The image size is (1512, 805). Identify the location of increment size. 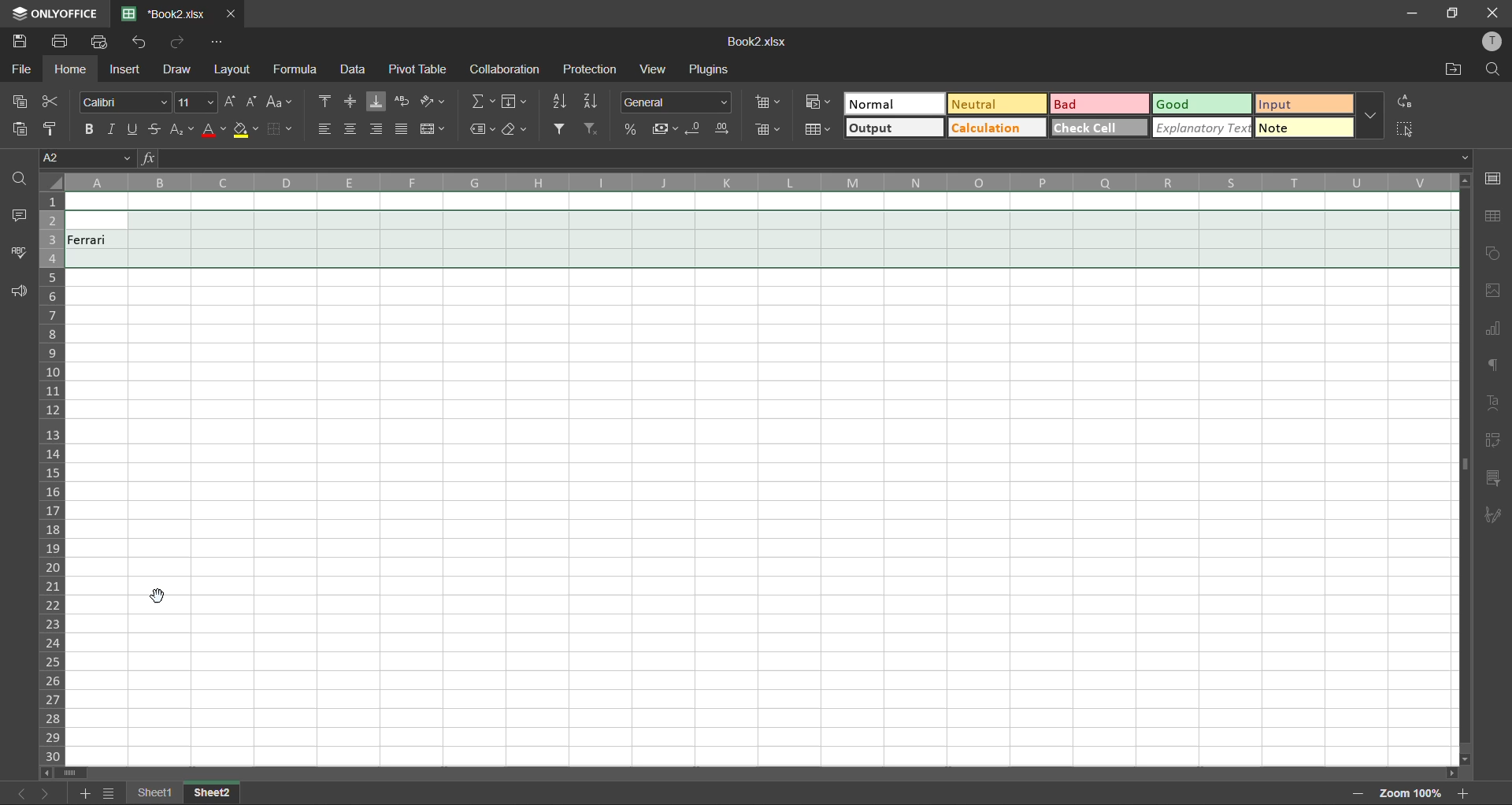
(231, 102).